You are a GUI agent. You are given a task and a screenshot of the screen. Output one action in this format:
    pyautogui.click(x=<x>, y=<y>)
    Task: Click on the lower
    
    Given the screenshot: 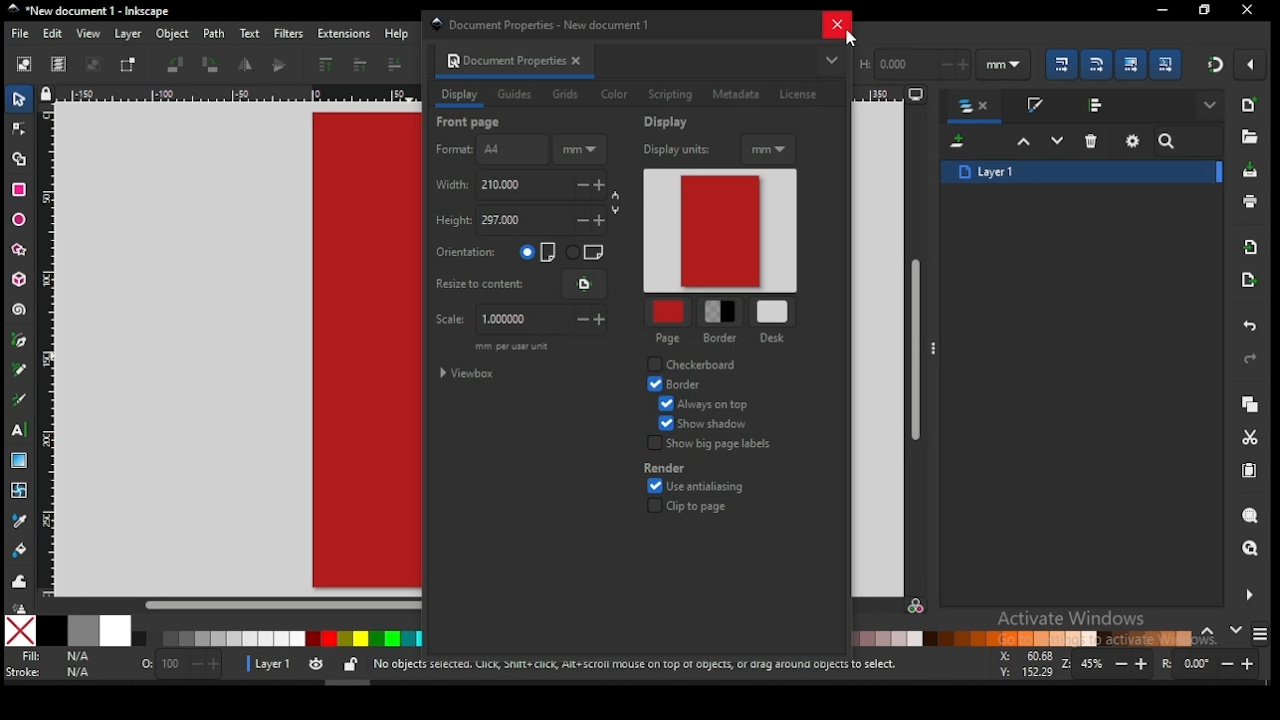 What is the action you would take?
    pyautogui.click(x=395, y=65)
    